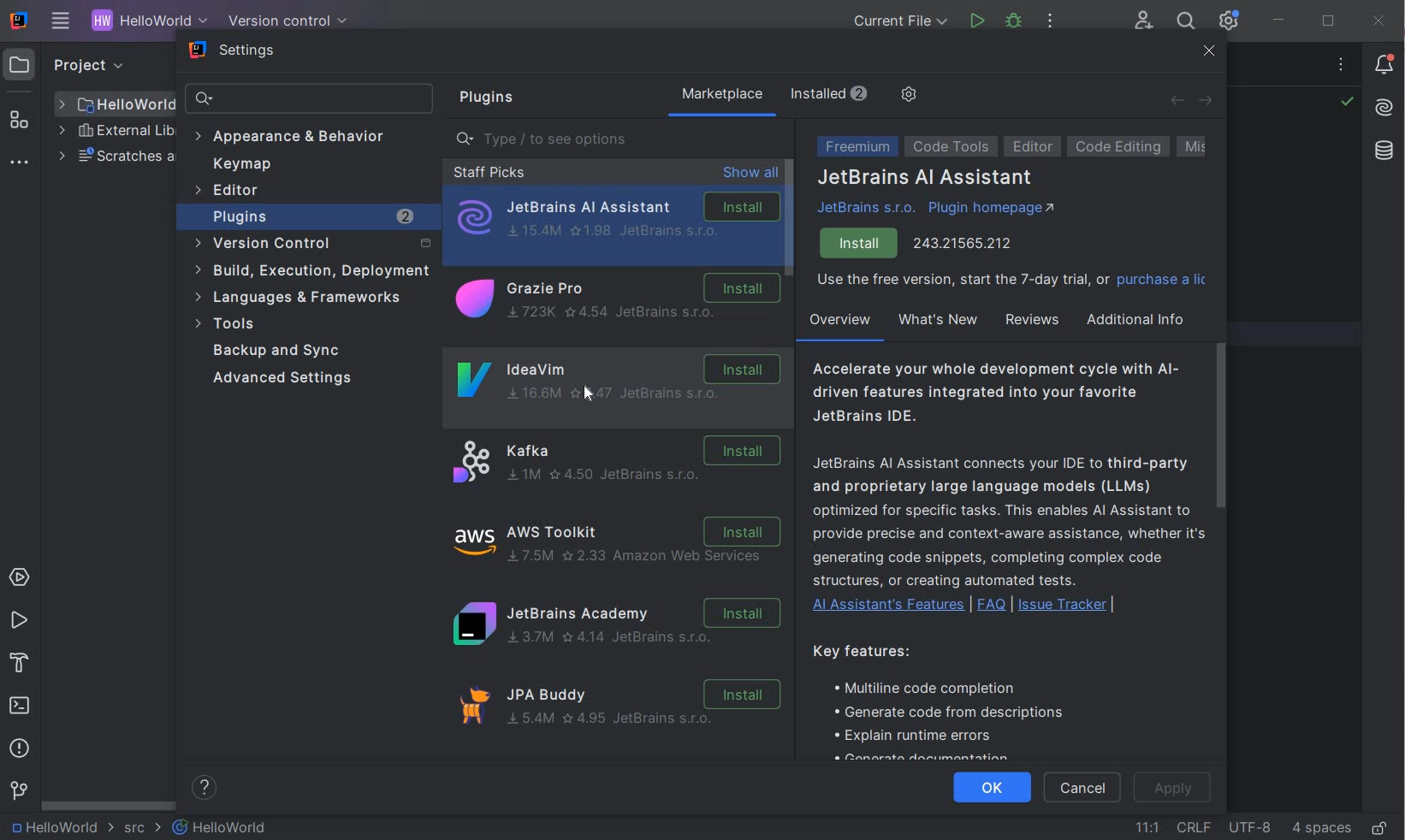  I want to click on marketplace, so click(721, 96).